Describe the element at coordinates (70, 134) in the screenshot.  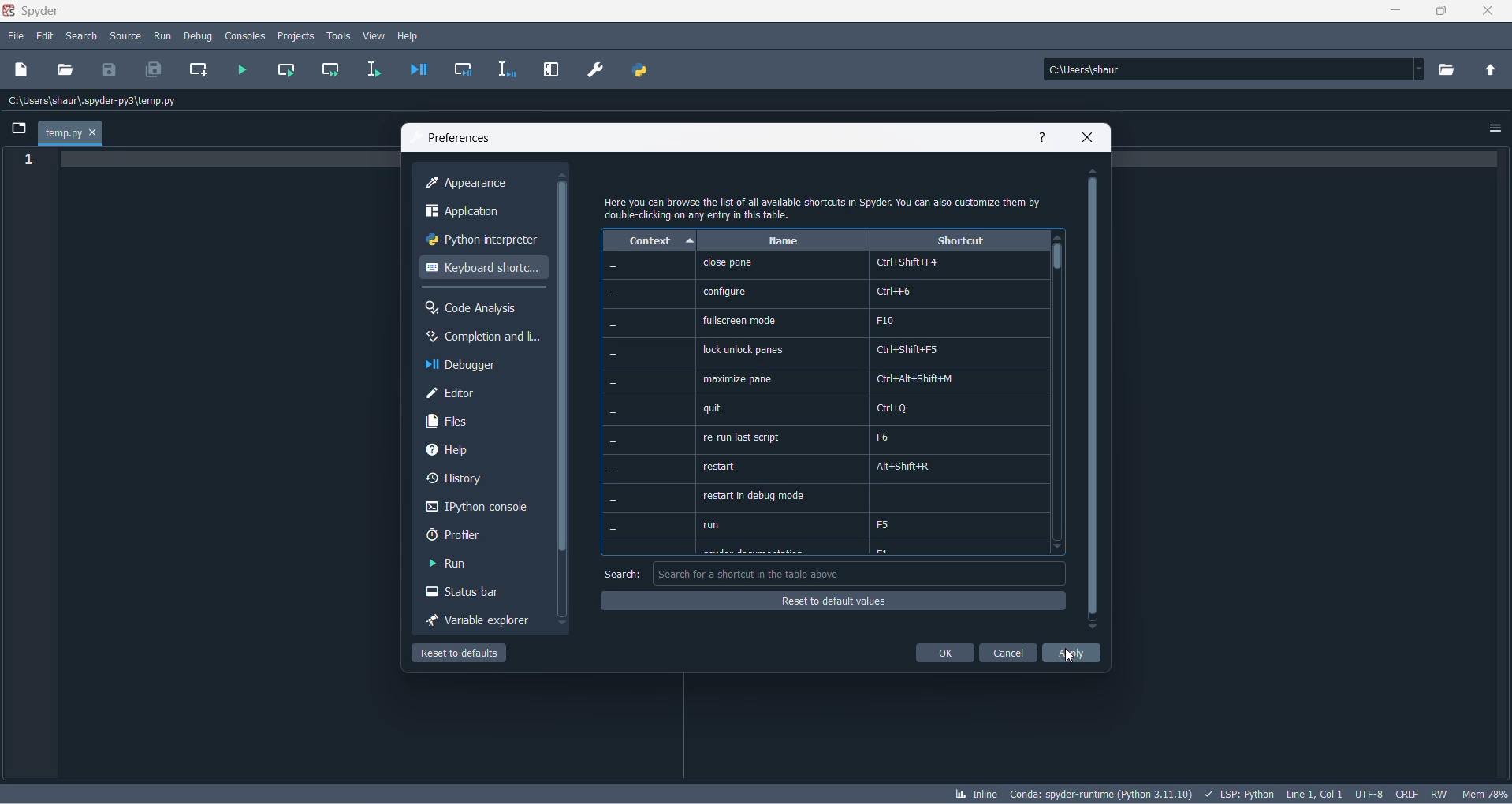
I see `current file tab` at that location.